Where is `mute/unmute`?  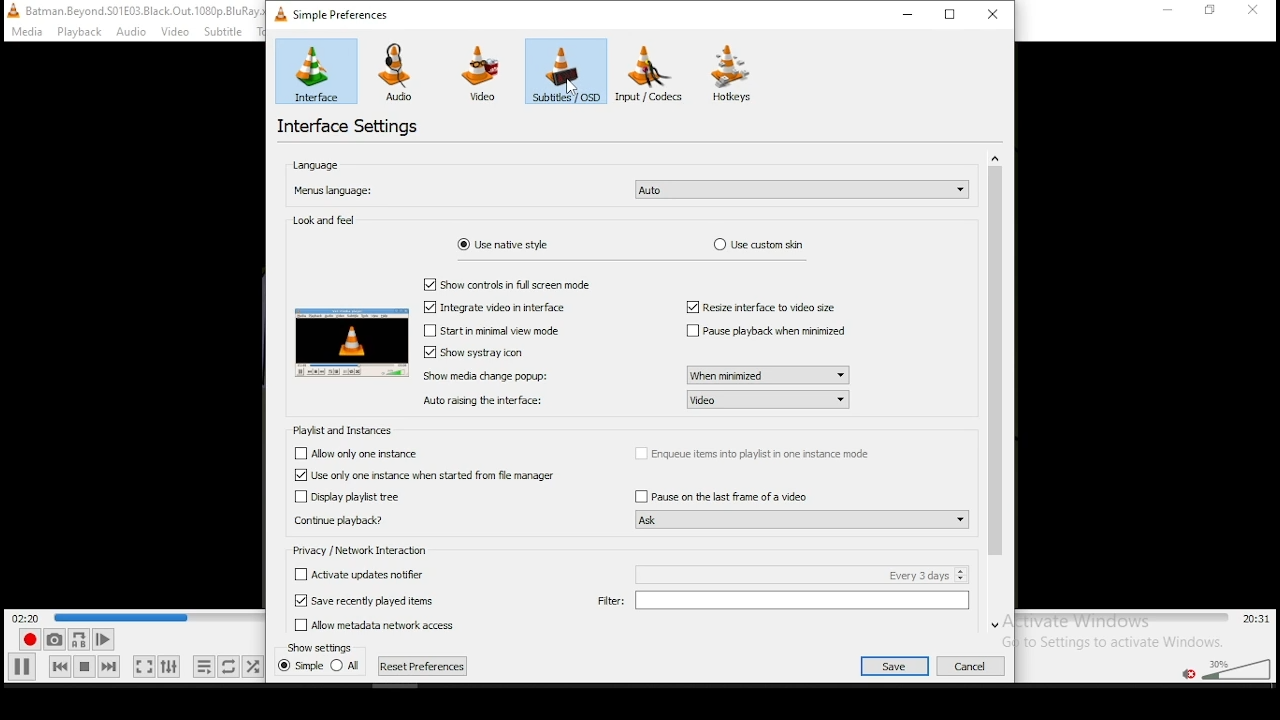
mute/unmute is located at coordinates (1190, 674).